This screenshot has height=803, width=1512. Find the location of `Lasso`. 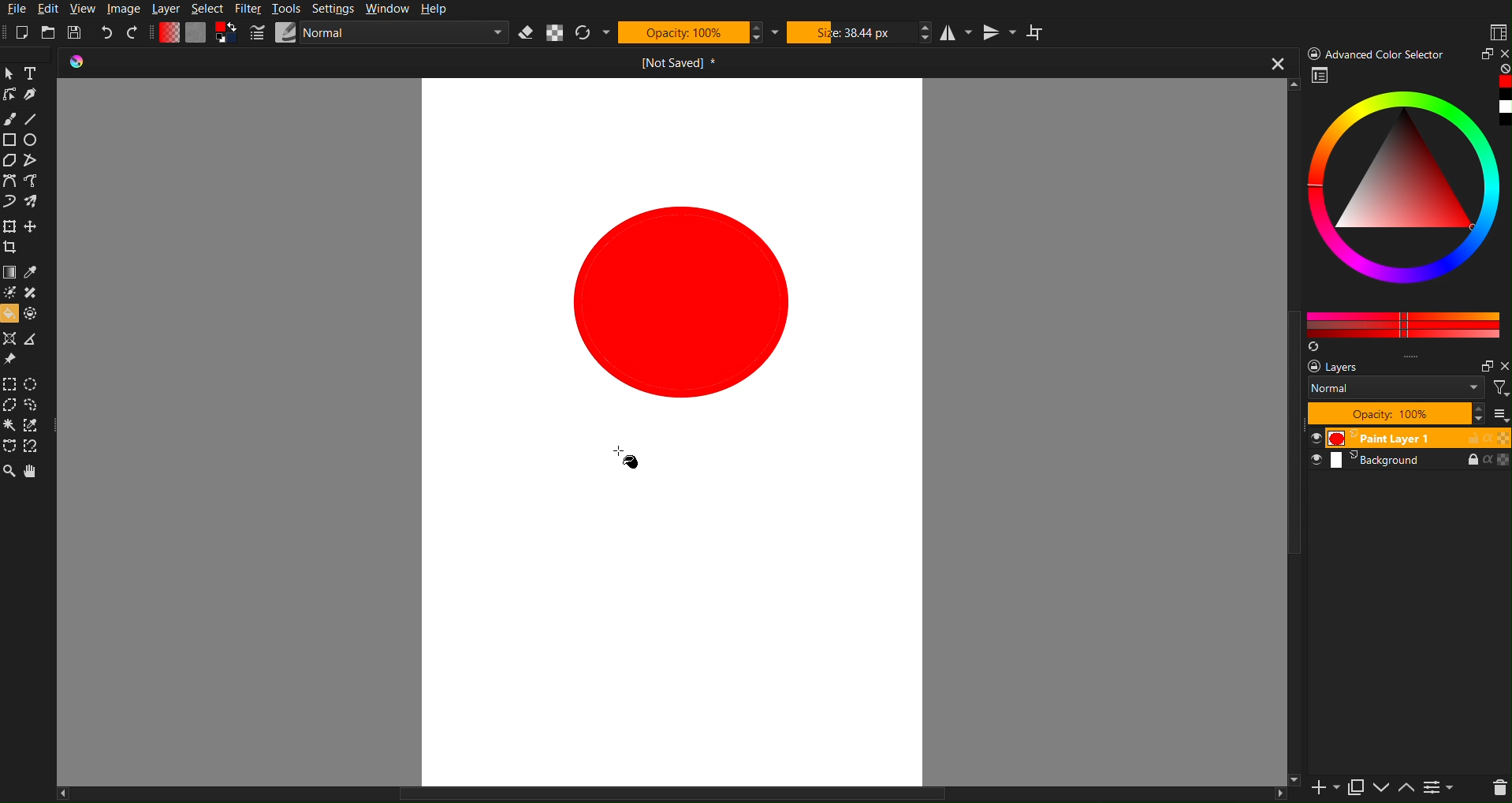

Lasso is located at coordinates (34, 405).